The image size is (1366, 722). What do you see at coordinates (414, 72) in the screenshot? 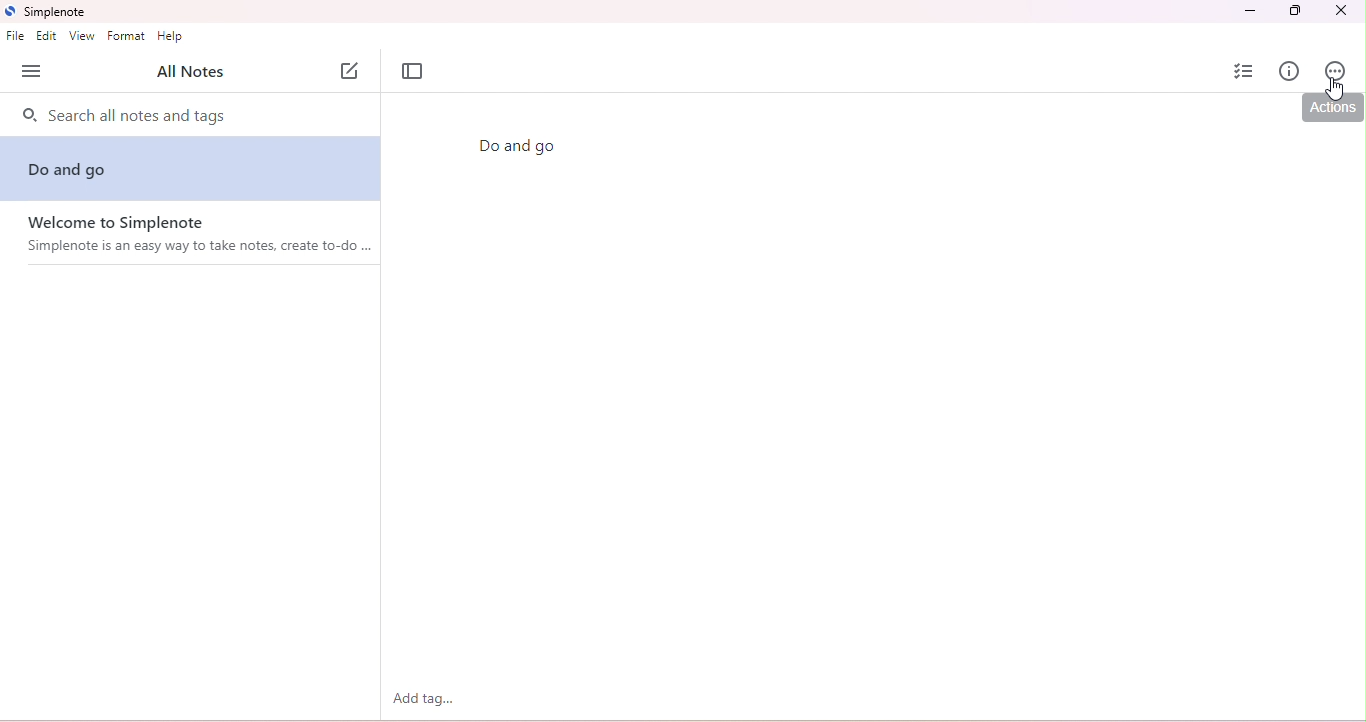
I see `toggle focus mode` at bounding box center [414, 72].